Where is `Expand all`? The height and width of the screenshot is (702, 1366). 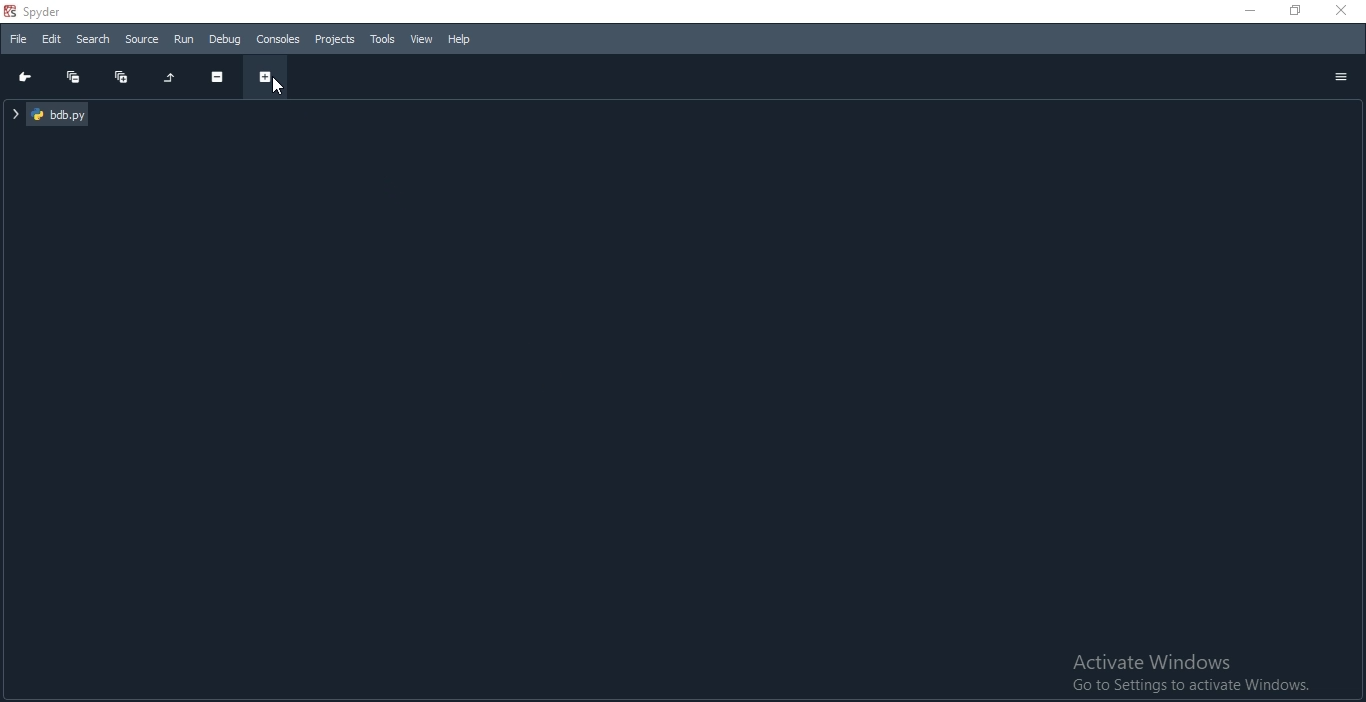 Expand all is located at coordinates (124, 77).